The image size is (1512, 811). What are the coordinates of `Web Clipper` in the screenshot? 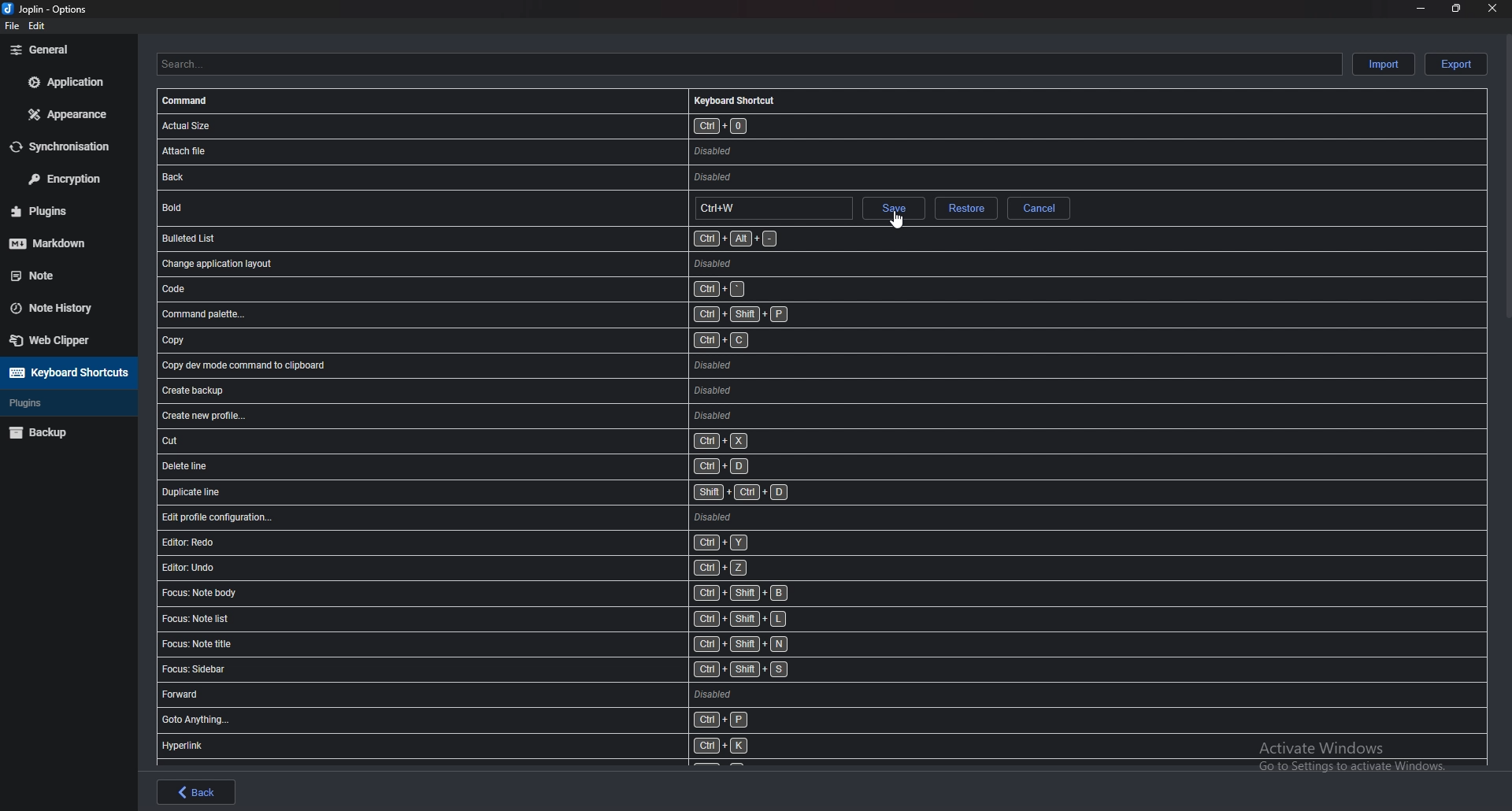 It's located at (66, 340).